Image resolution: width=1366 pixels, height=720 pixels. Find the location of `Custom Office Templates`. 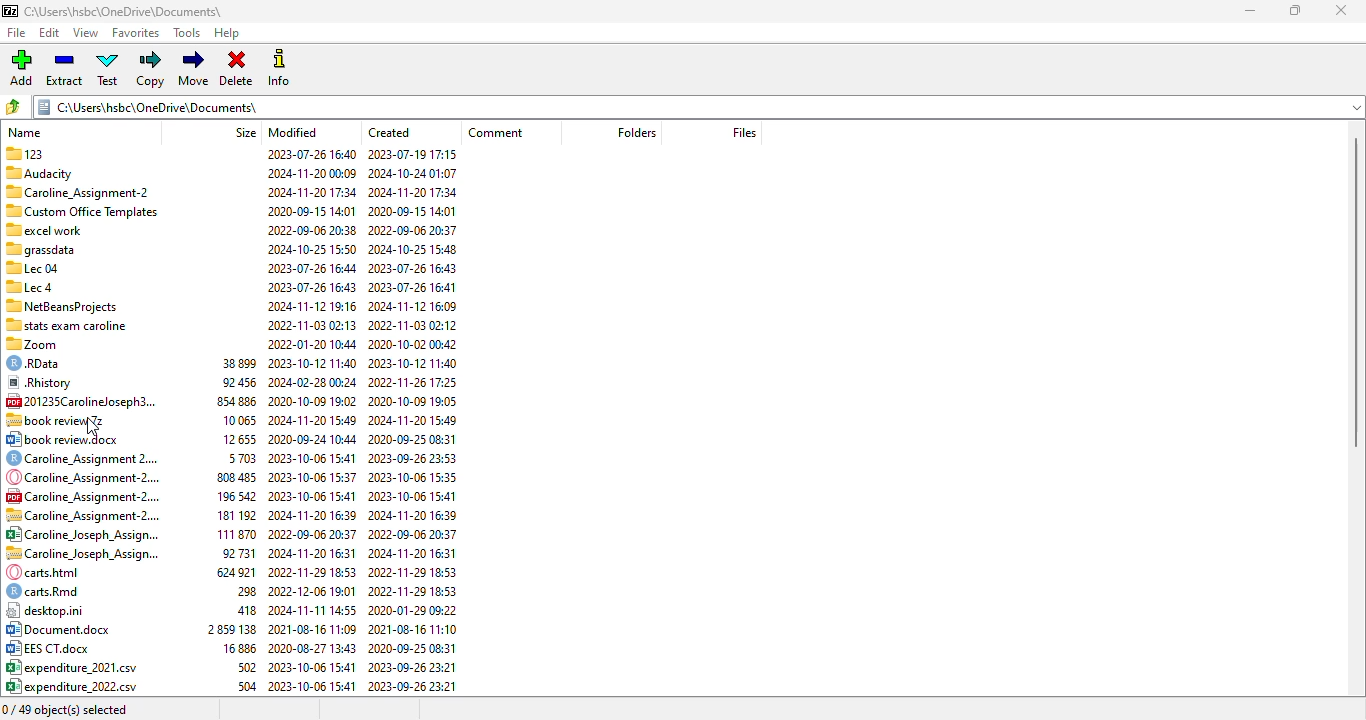

Custom Office Templates is located at coordinates (83, 210).